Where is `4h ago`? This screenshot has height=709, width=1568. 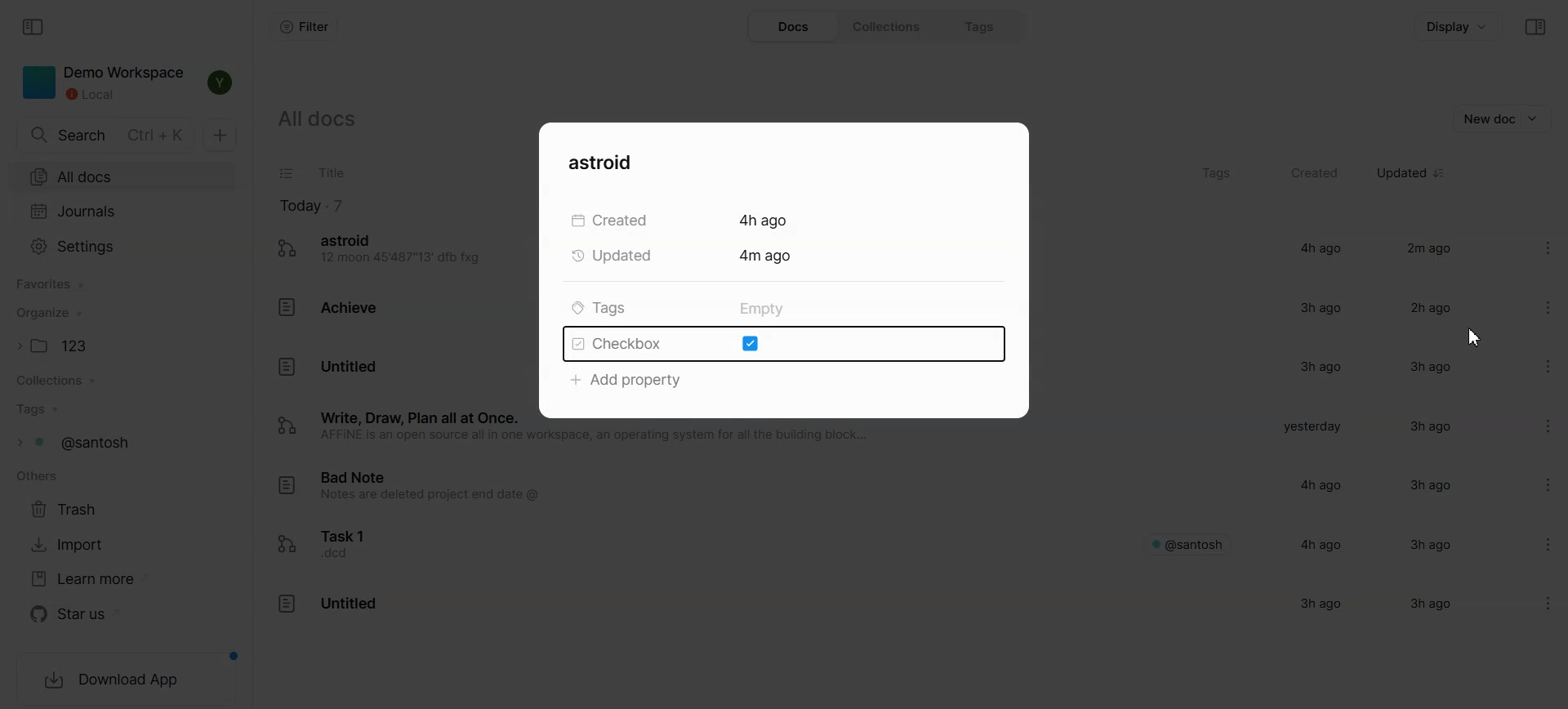
4h ago is located at coordinates (1315, 484).